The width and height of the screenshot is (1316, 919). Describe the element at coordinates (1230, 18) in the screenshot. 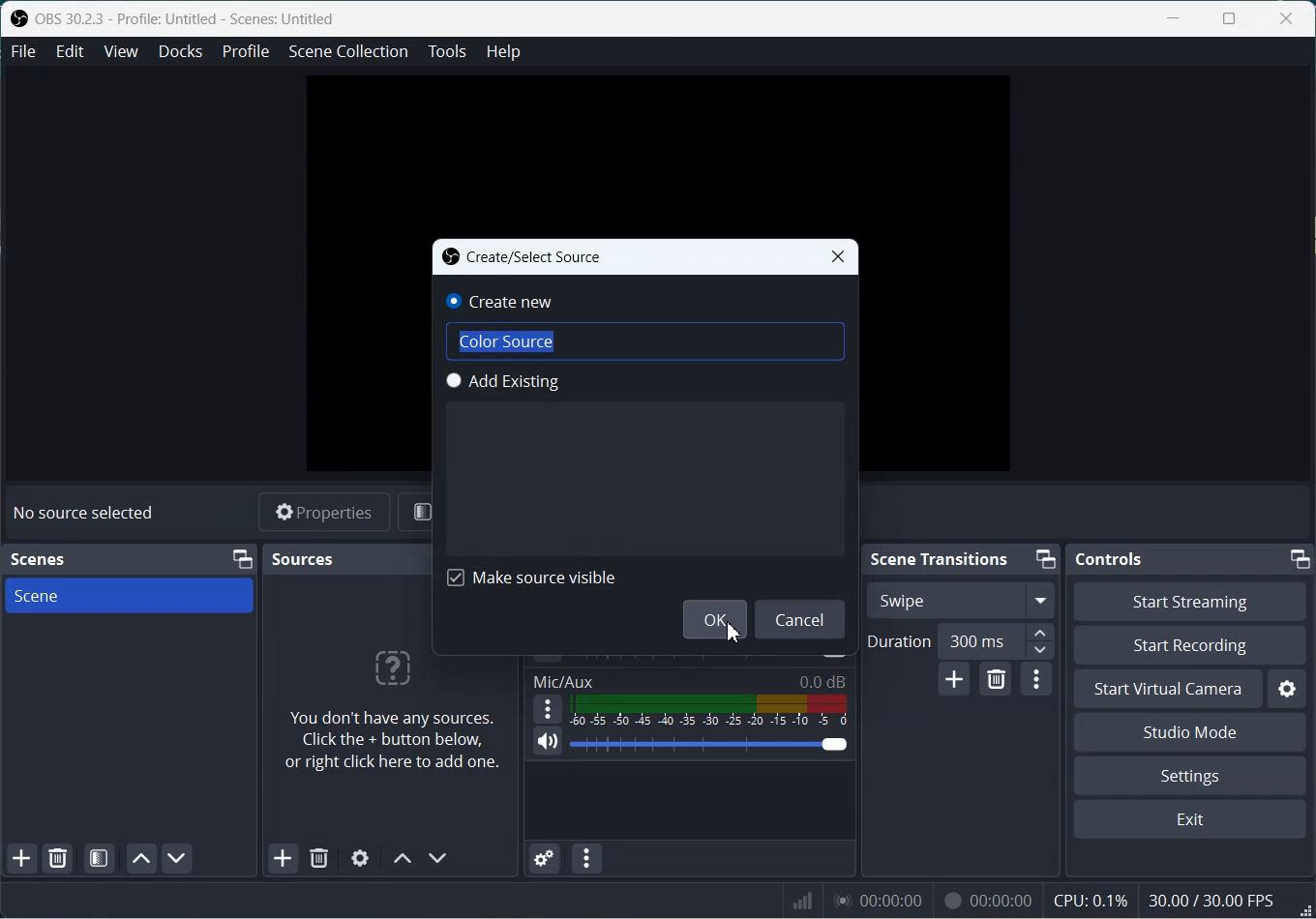

I see `Maximize` at that location.